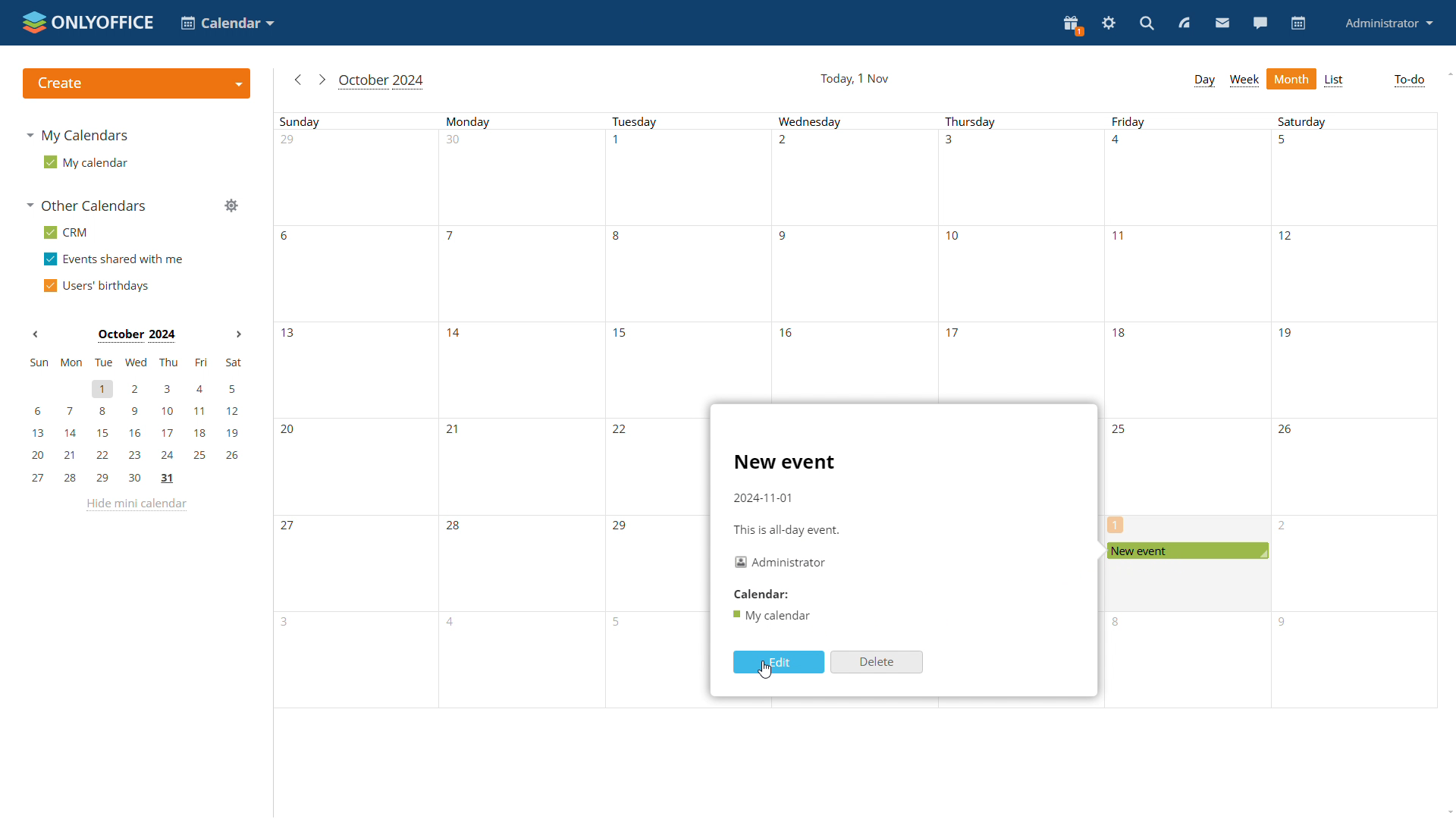 Image resolution: width=1456 pixels, height=819 pixels. I want to click on event date, so click(765, 497).